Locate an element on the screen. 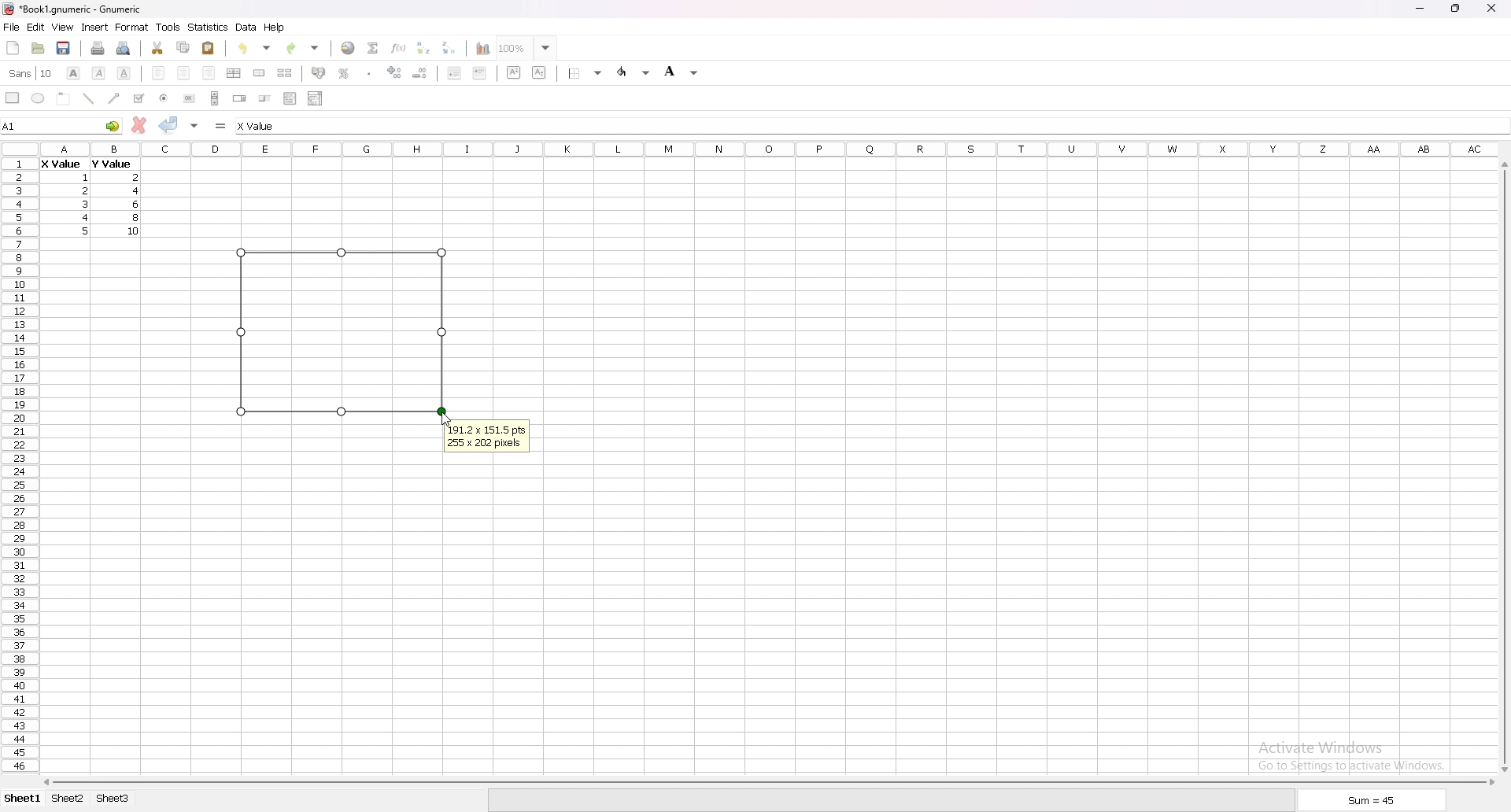 The image size is (1511, 812). sheet 1 is located at coordinates (24, 799).